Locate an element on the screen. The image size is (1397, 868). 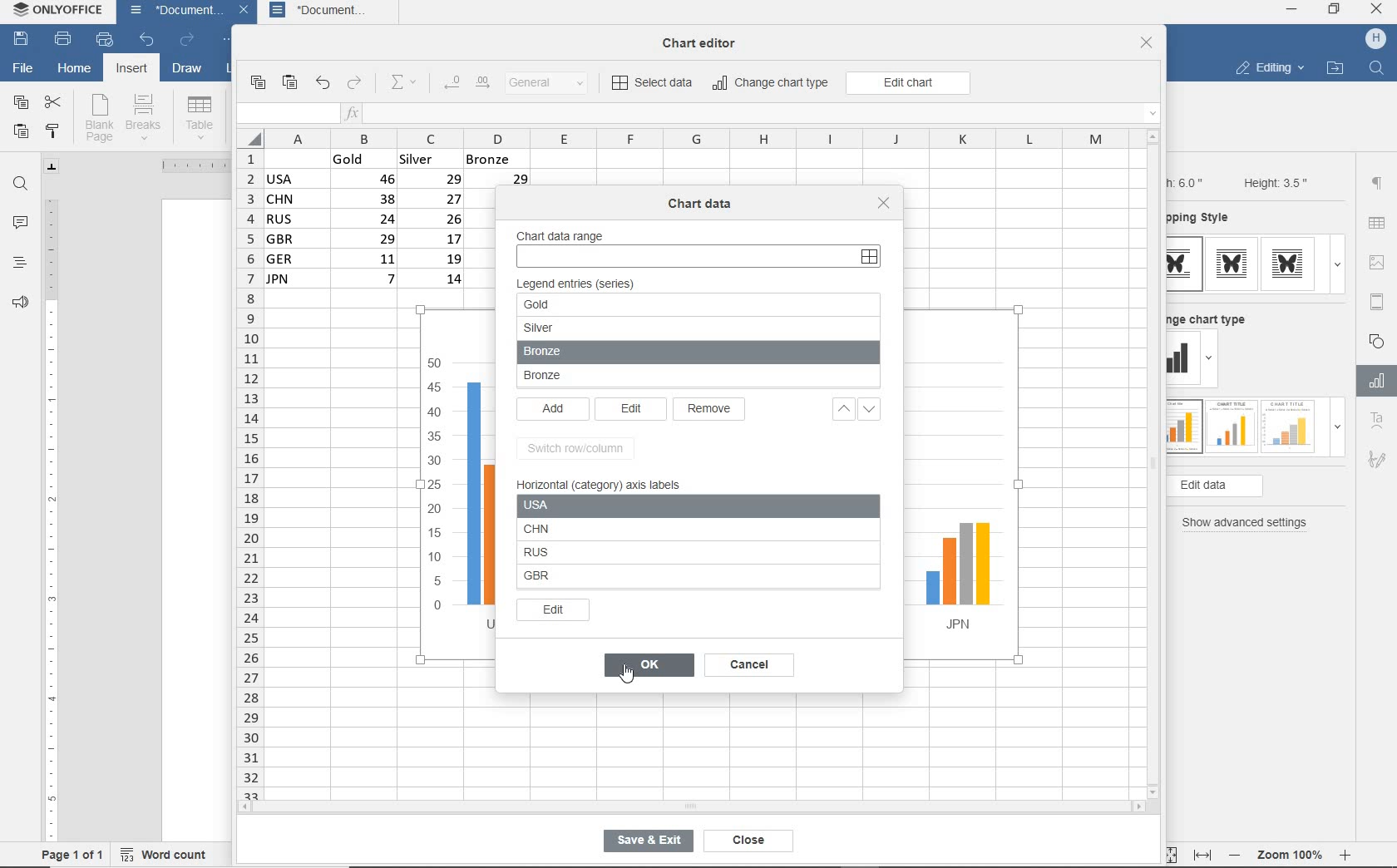
scroll down is located at coordinates (1154, 791).